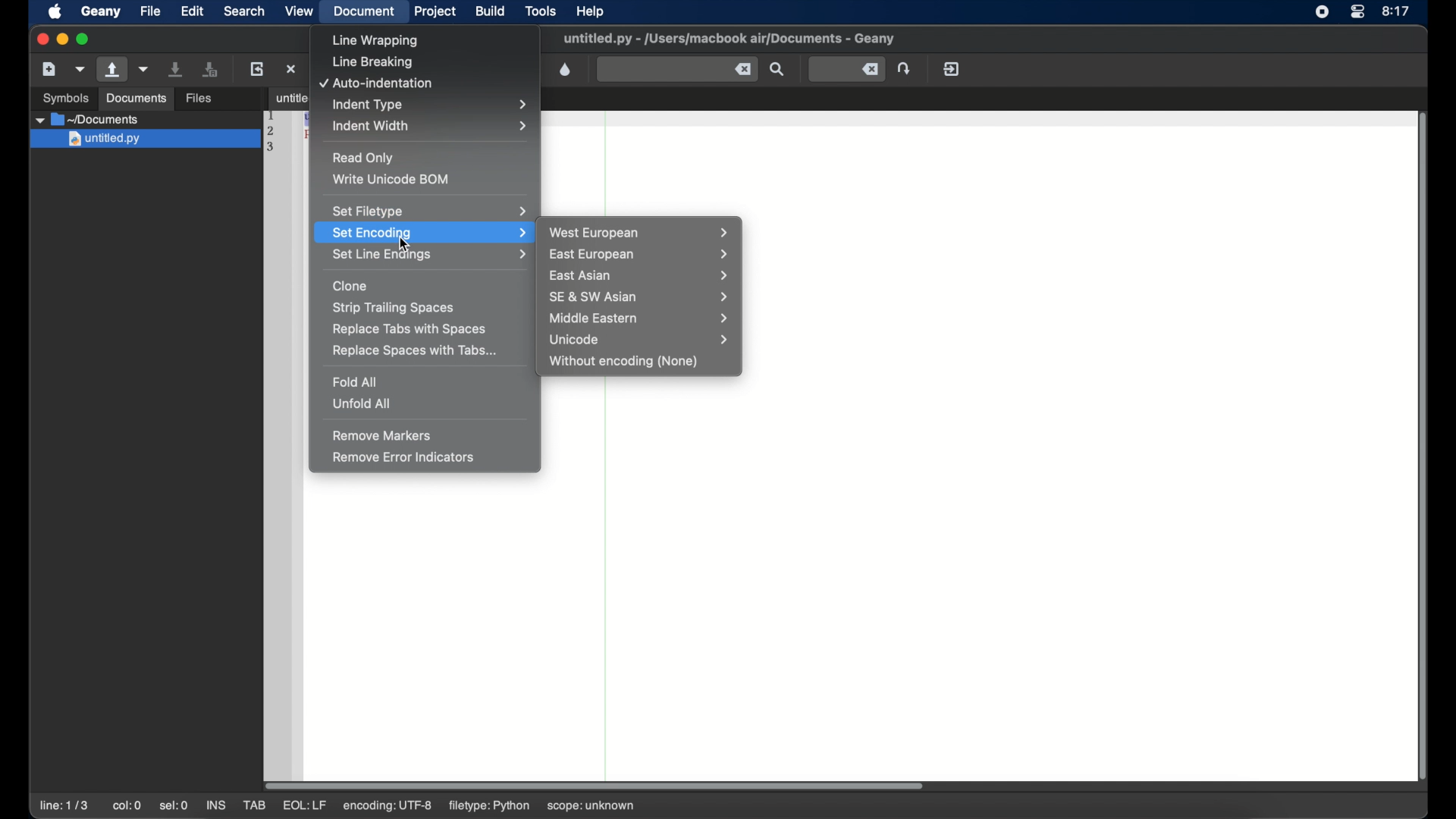  What do you see at coordinates (127, 805) in the screenshot?
I see `col:0` at bounding box center [127, 805].